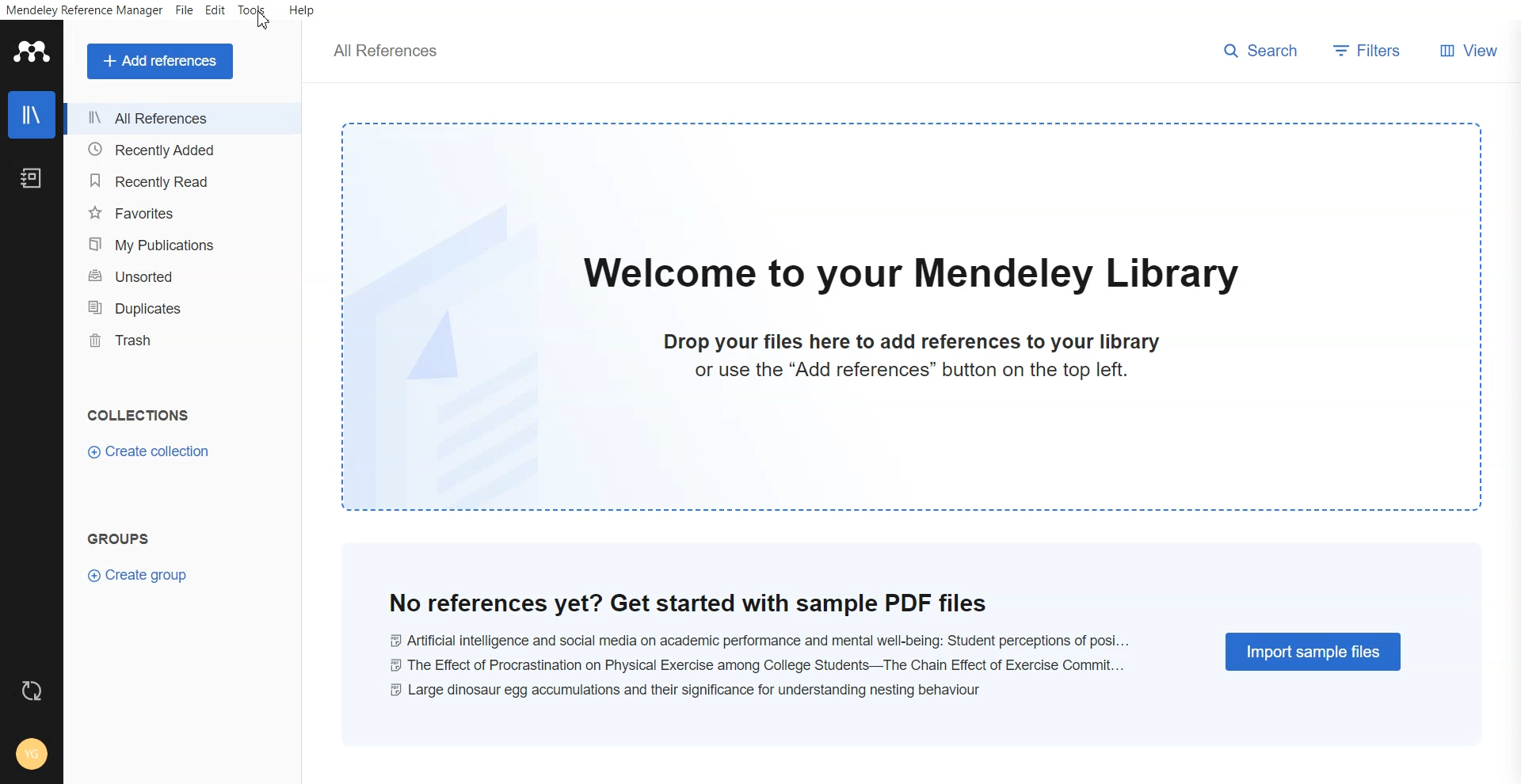 The image size is (1521, 784). I want to click on Recently Added, so click(181, 150).